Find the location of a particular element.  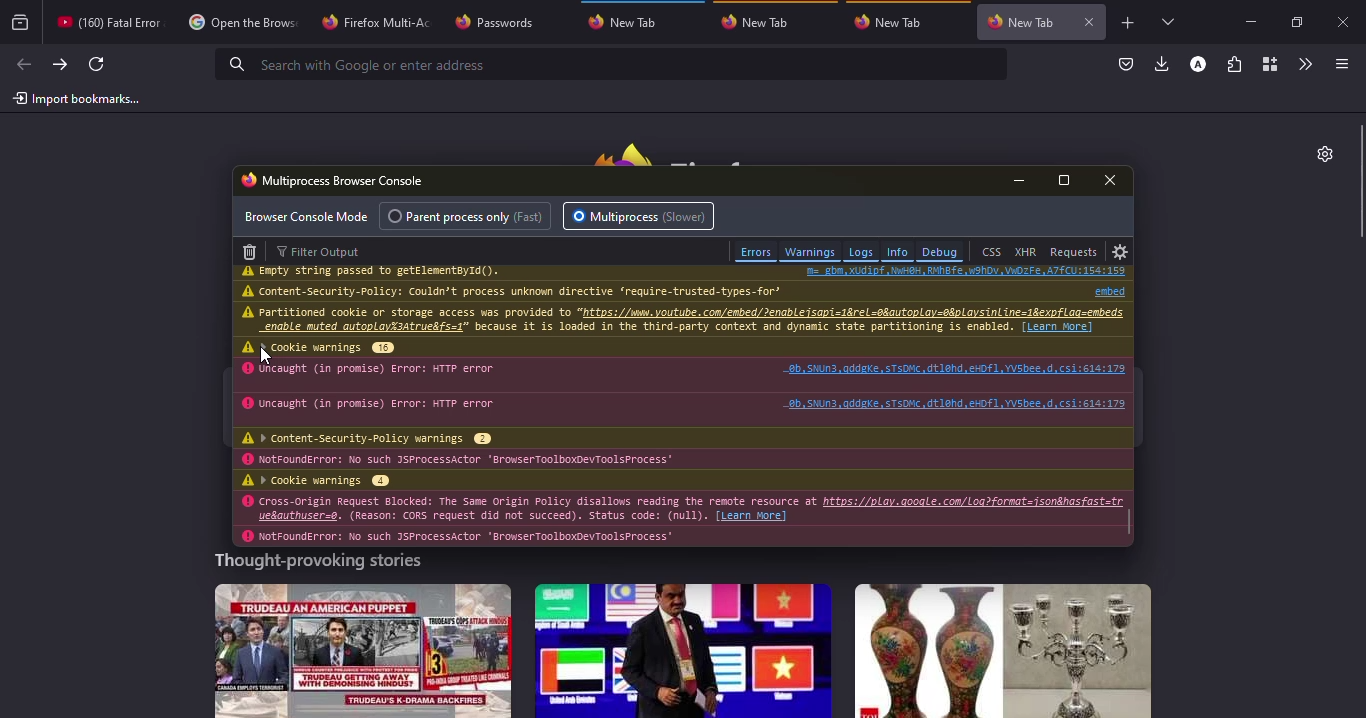

embed is located at coordinates (1102, 290).